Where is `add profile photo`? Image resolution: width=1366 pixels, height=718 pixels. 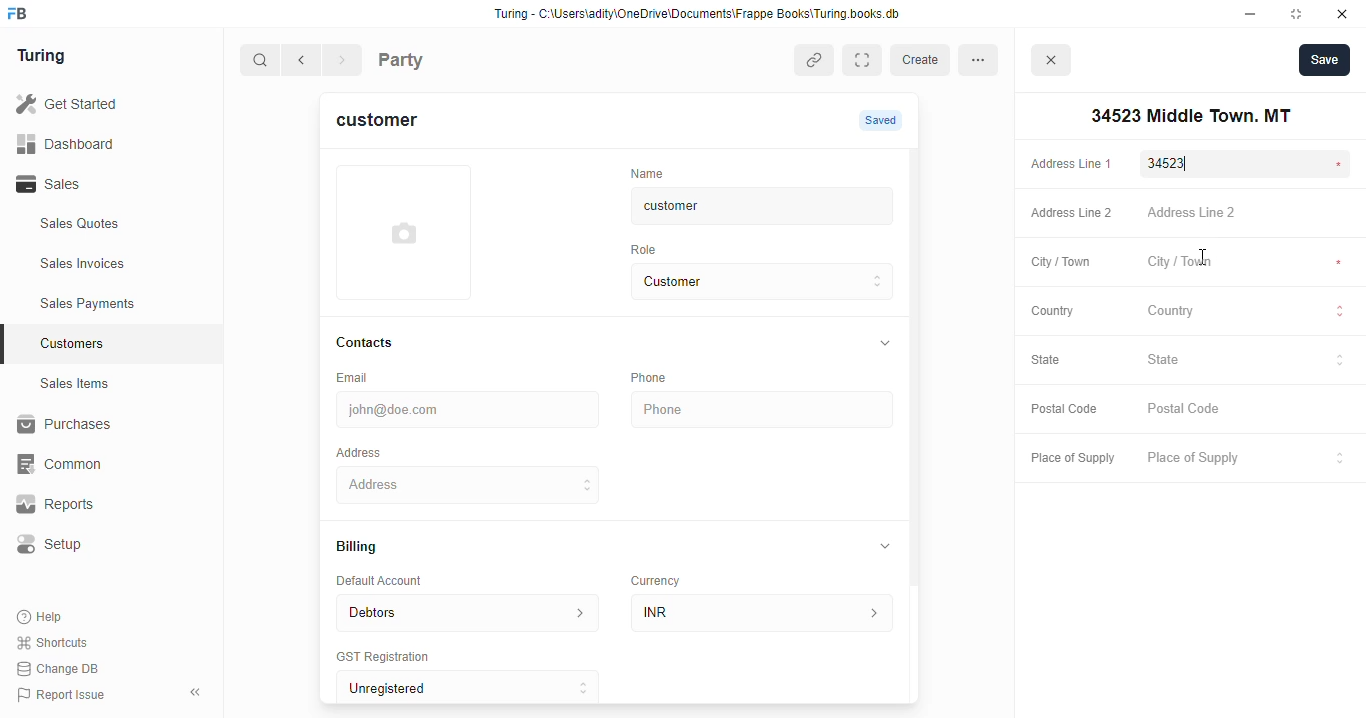 add profile photo is located at coordinates (404, 232).